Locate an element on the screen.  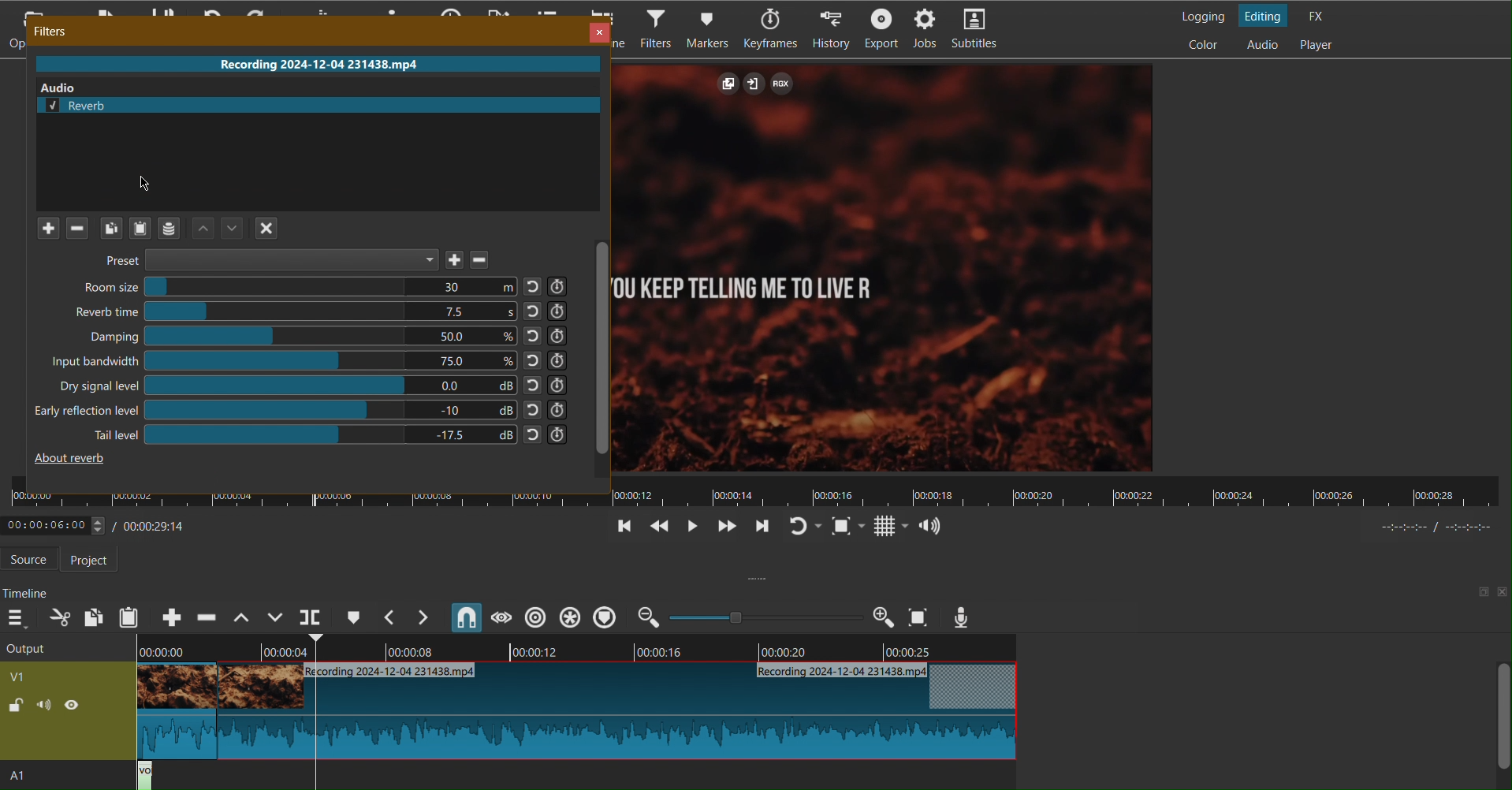
Previous Marker is located at coordinates (391, 617).